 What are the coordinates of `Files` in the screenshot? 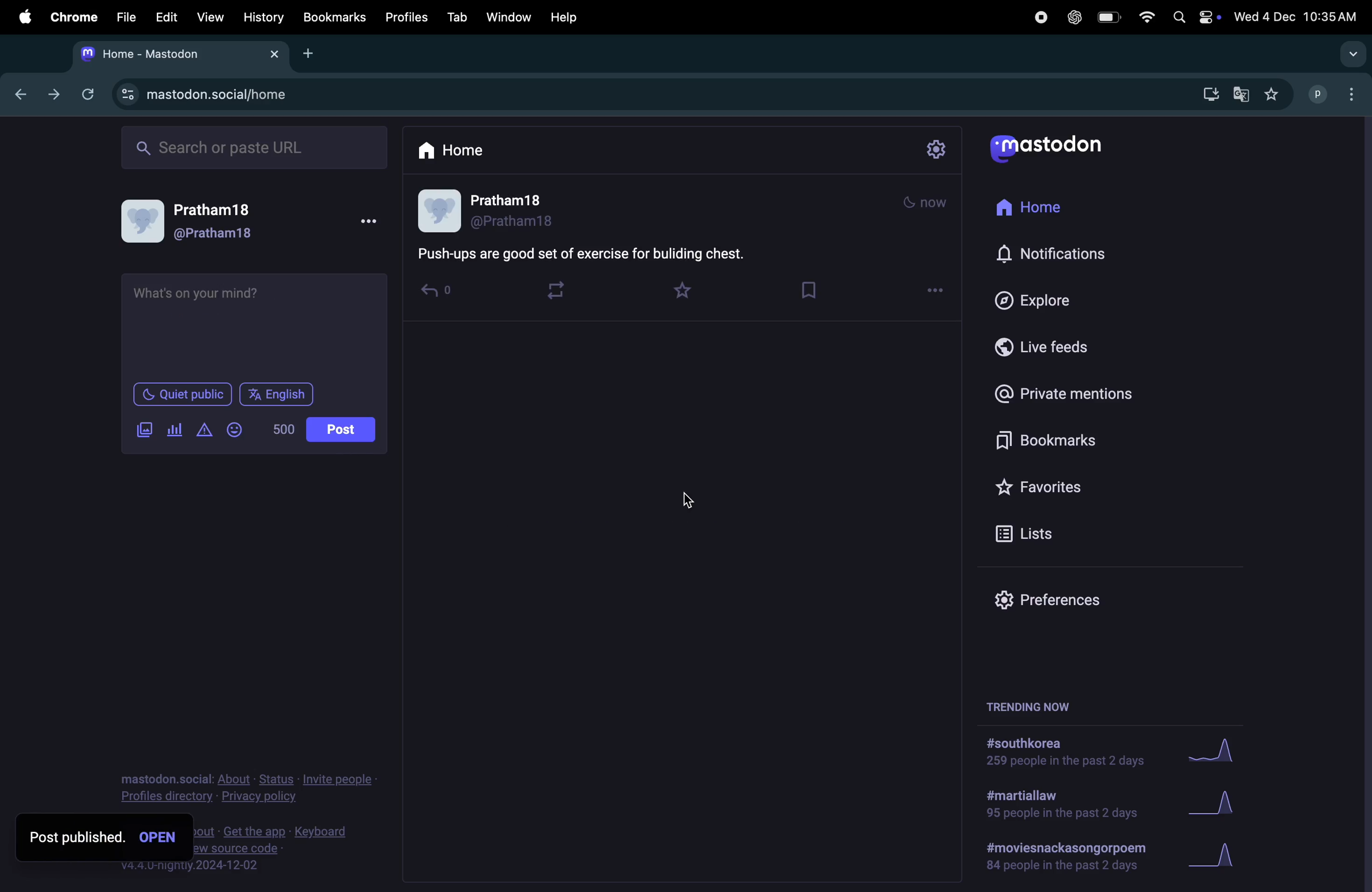 It's located at (126, 18).